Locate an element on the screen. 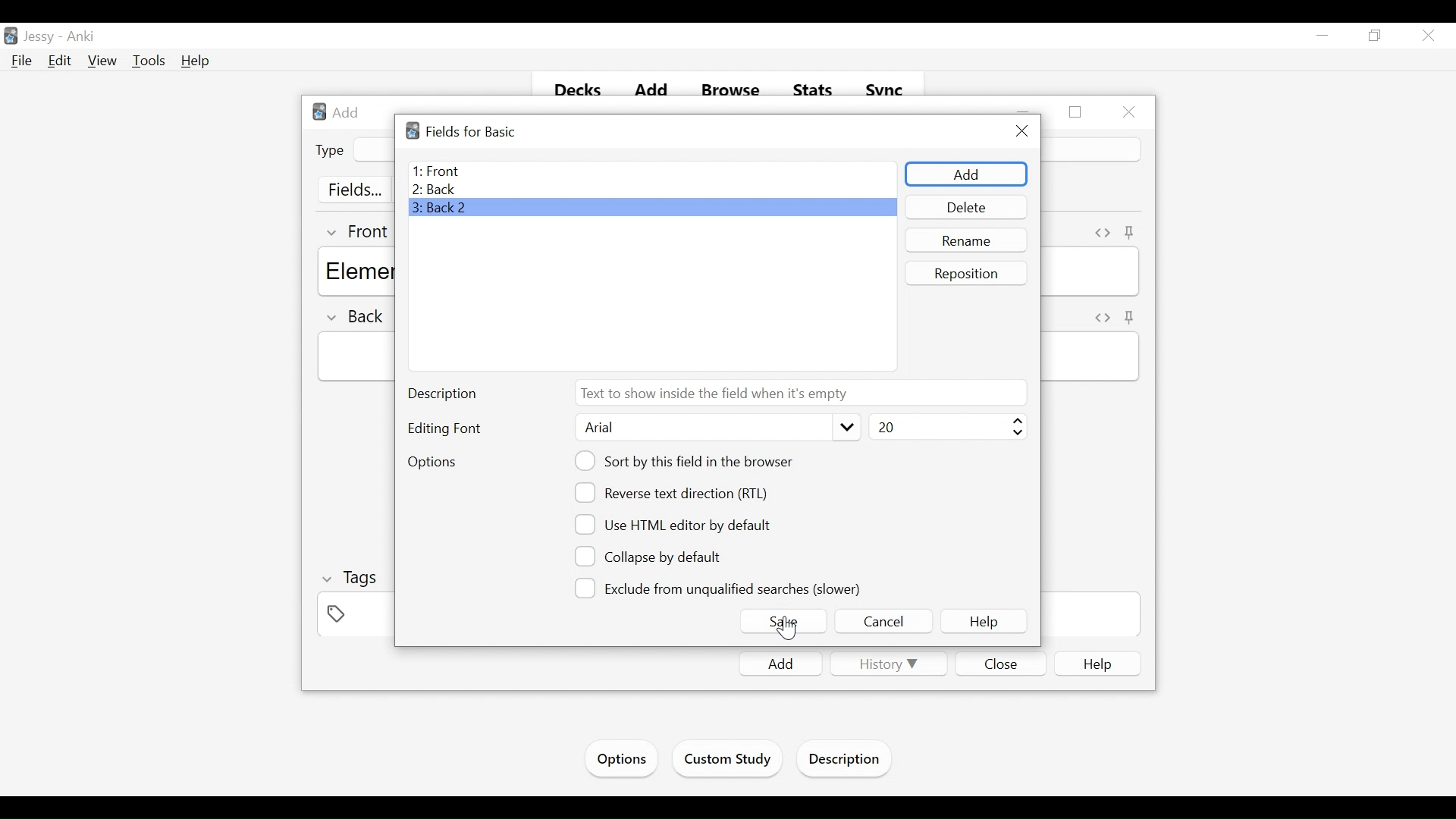  minimize is located at coordinates (1323, 36).